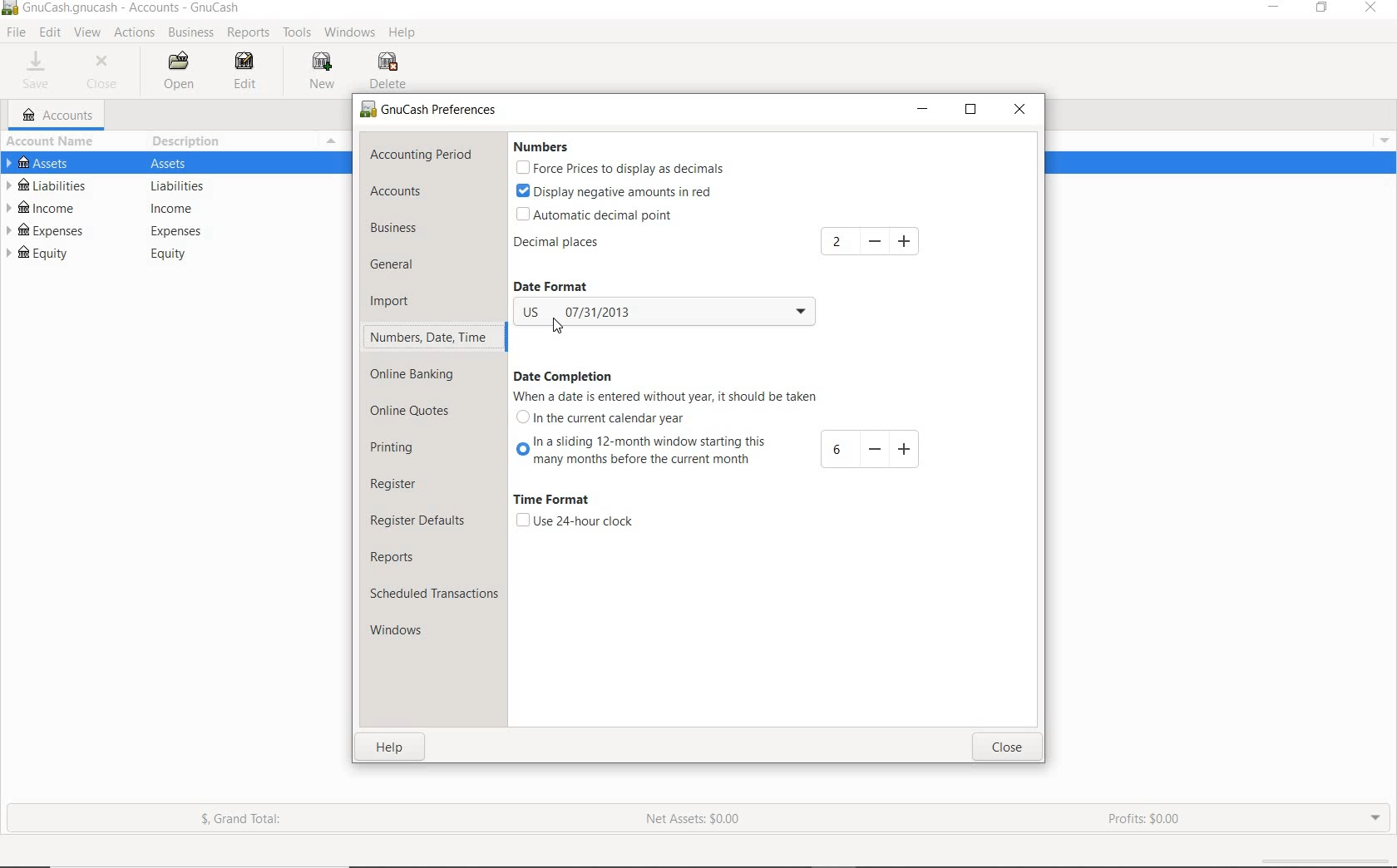 This screenshot has width=1397, height=868. Describe the element at coordinates (249, 822) in the screenshot. I see `GRAND TOTAL` at that location.